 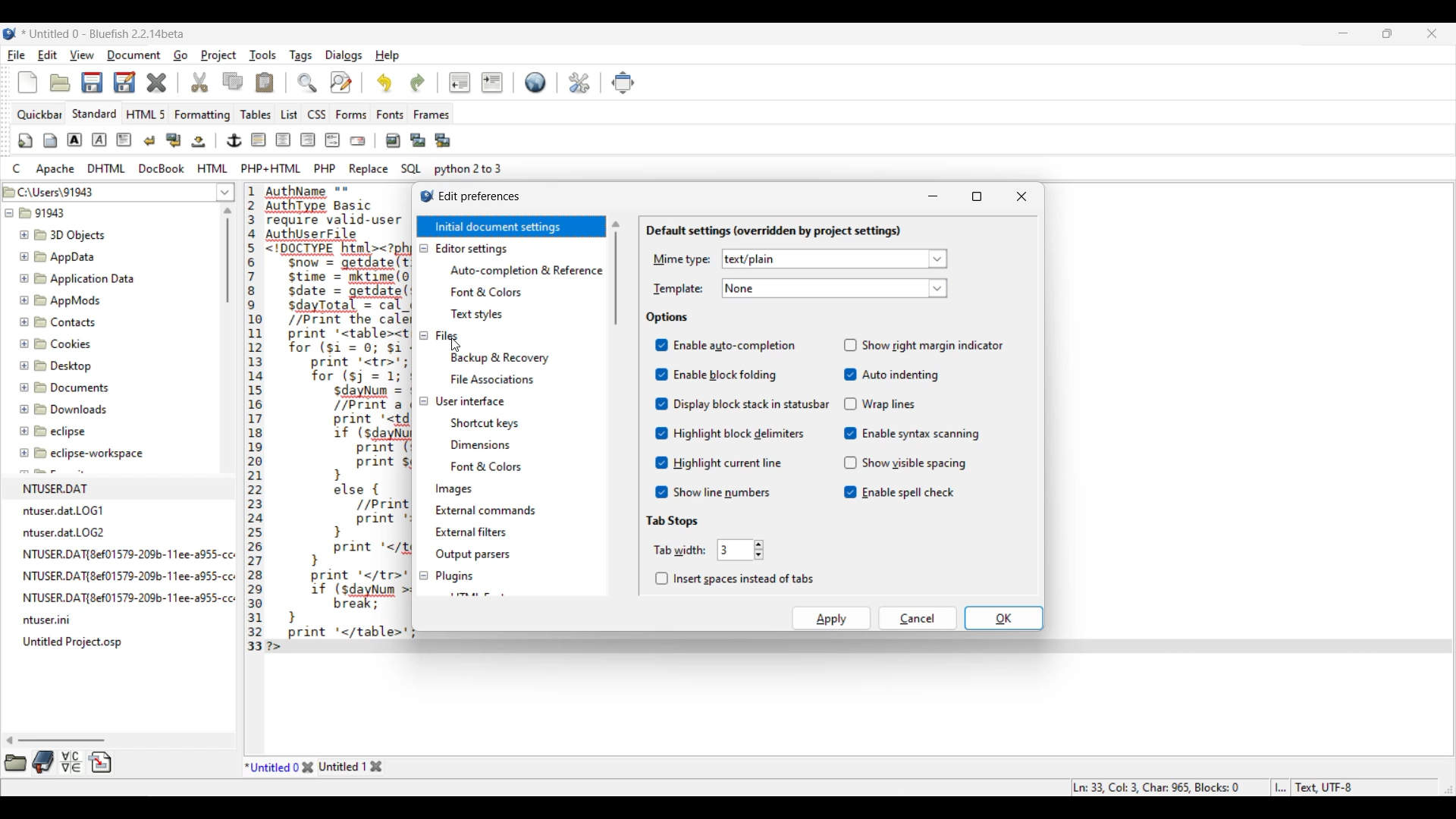 What do you see at coordinates (418, 83) in the screenshot?
I see `Redo` at bounding box center [418, 83].